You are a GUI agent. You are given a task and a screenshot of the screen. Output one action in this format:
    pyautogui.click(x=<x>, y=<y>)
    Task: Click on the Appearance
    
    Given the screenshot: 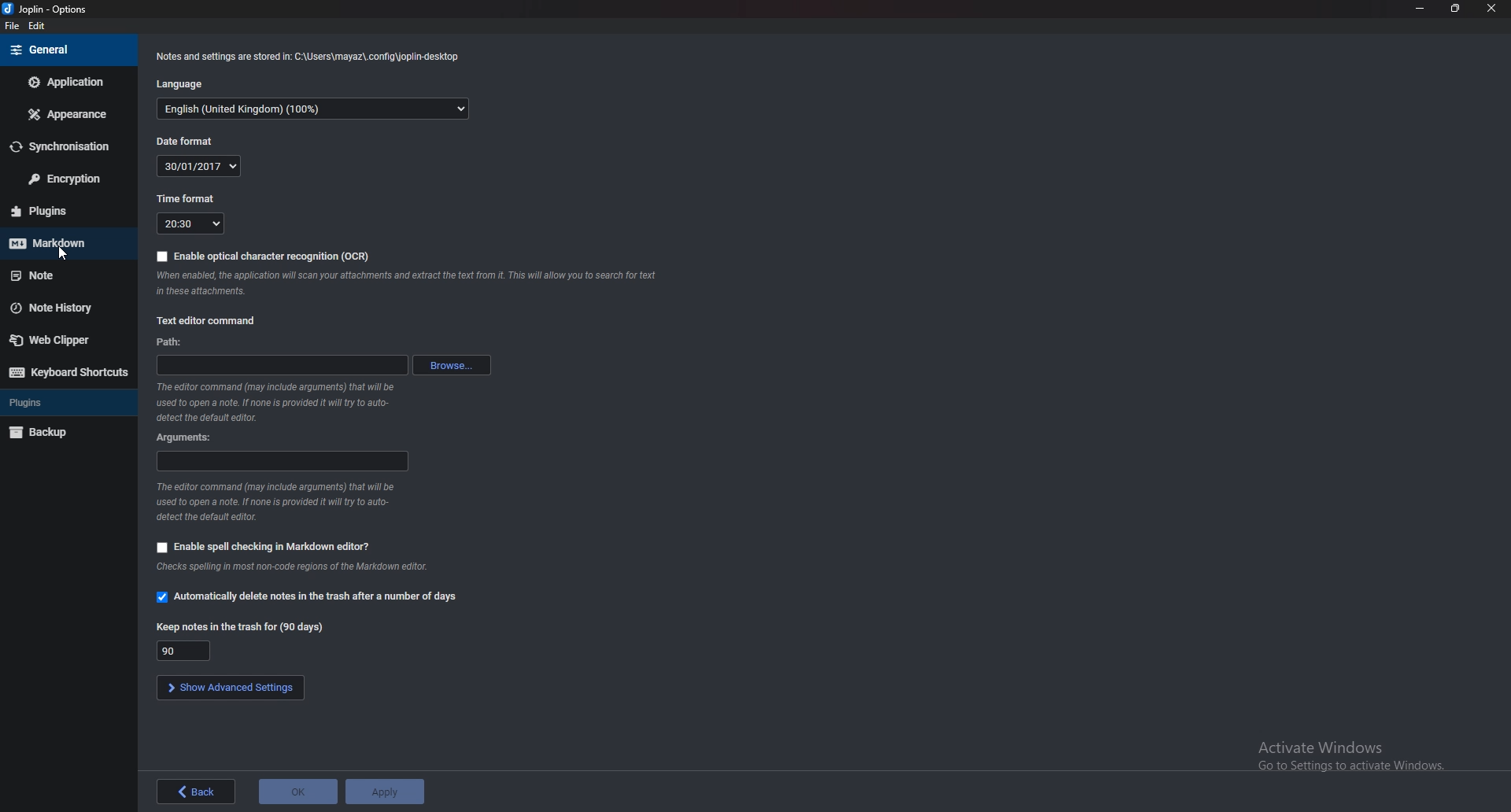 What is the action you would take?
    pyautogui.click(x=66, y=116)
    